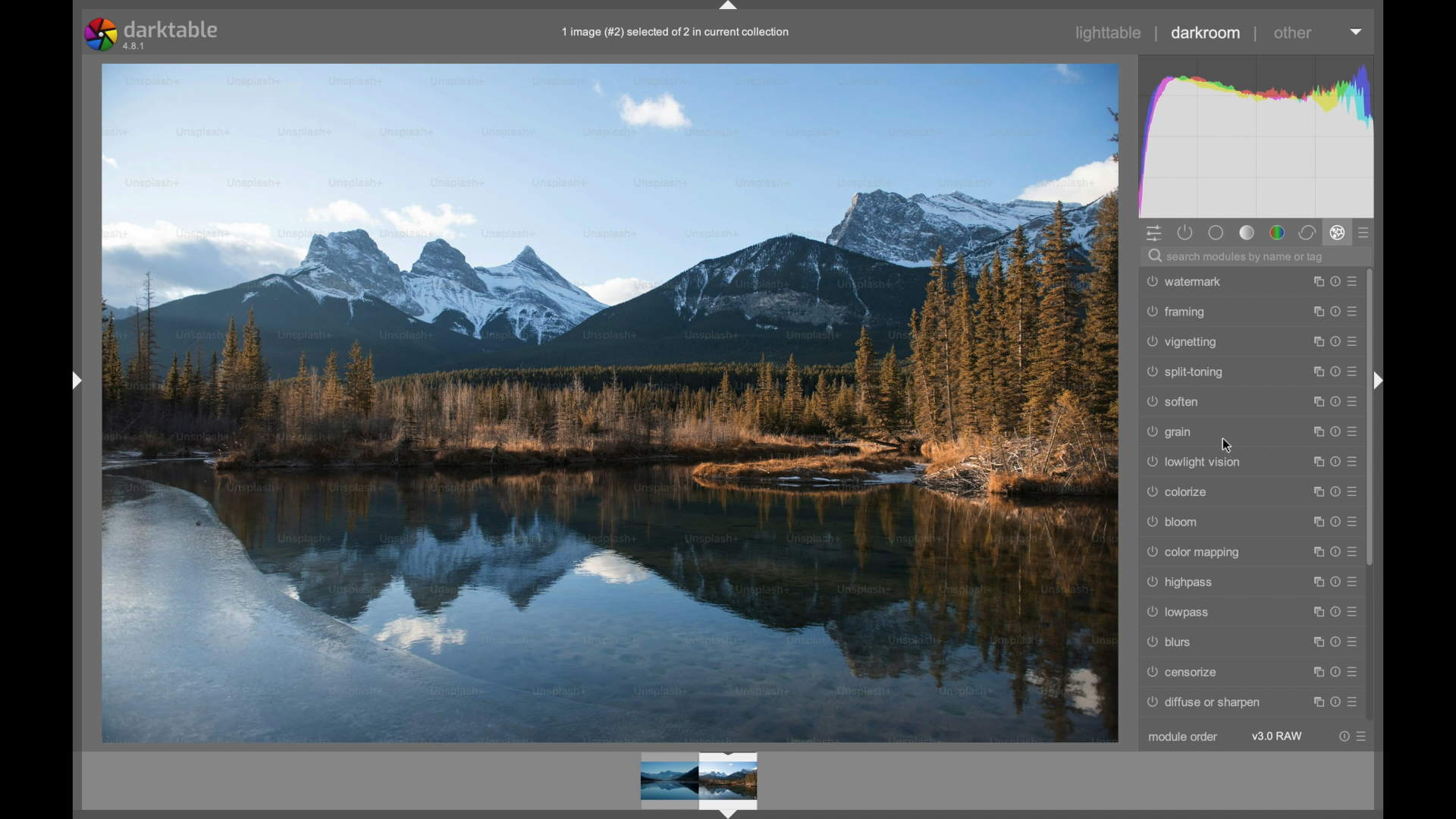 Image resolution: width=1456 pixels, height=819 pixels. What do you see at coordinates (1196, 554) in the screenshot?
I see `color mapping` at bounding box center [1196, 554].